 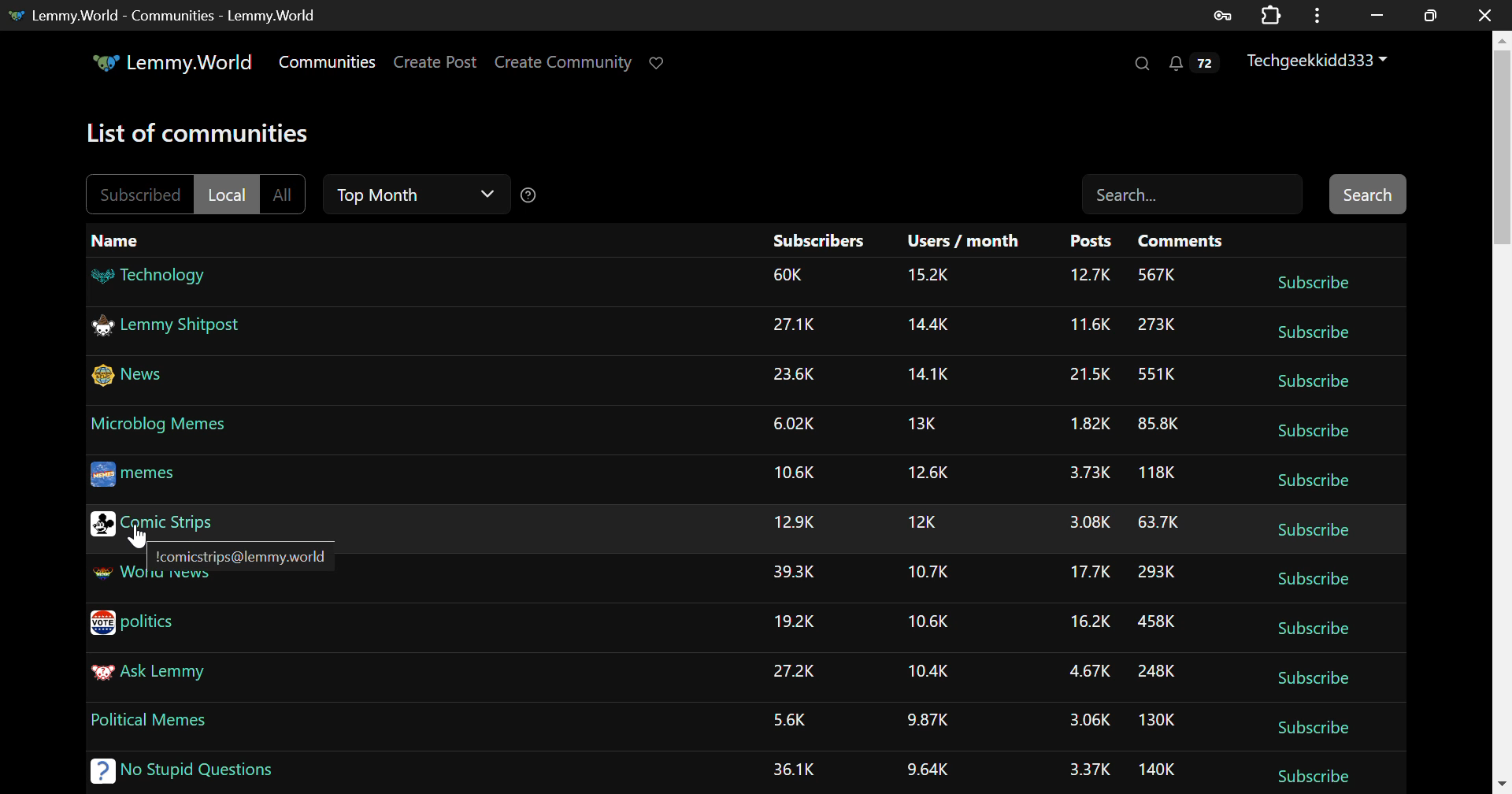 I want to click on Amount, so click(x=788, y=718).